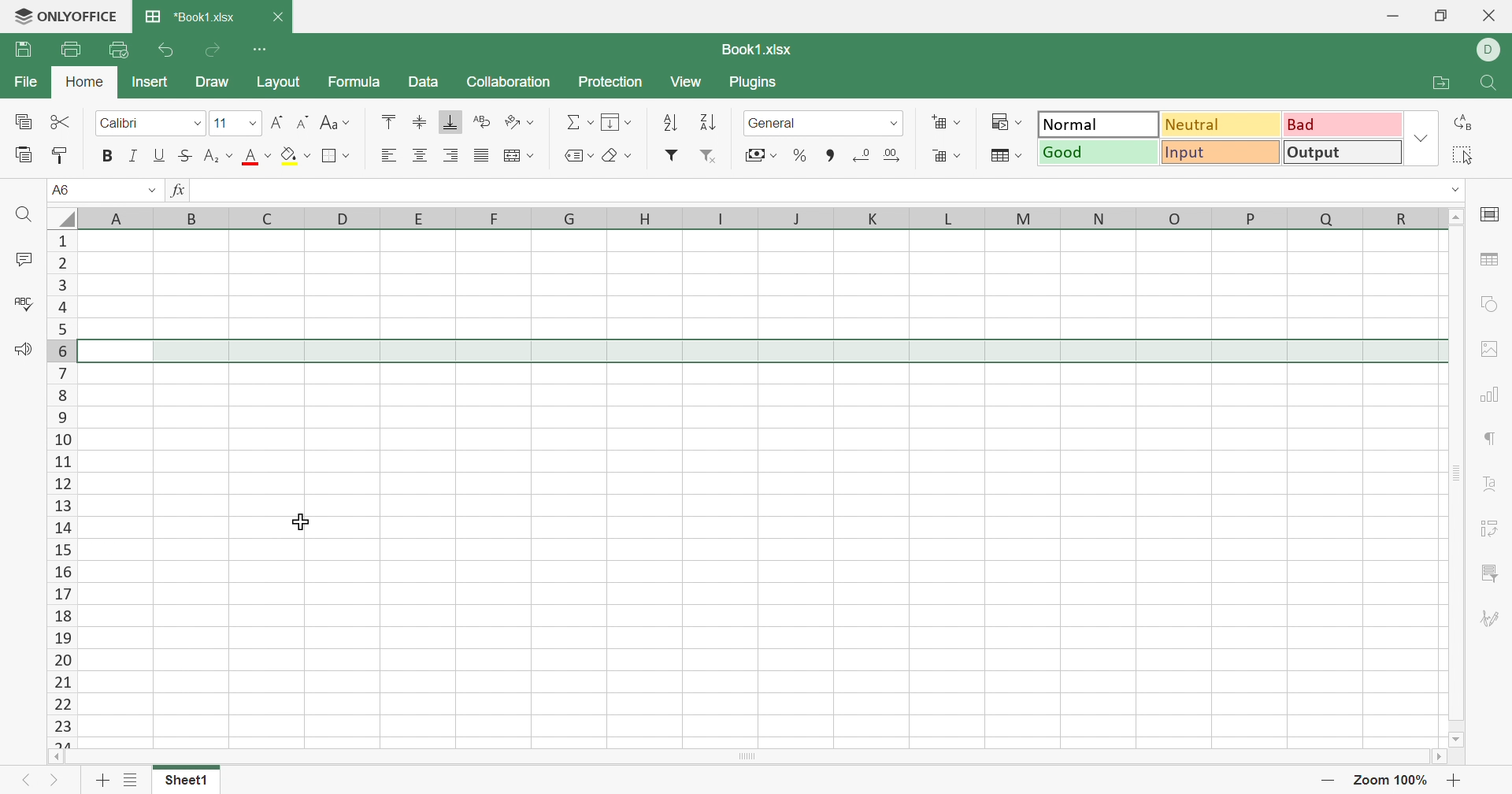  What do you see at coordinates (25, 78) in the screenshot?
I see `File` at bounding box center [25, 78].